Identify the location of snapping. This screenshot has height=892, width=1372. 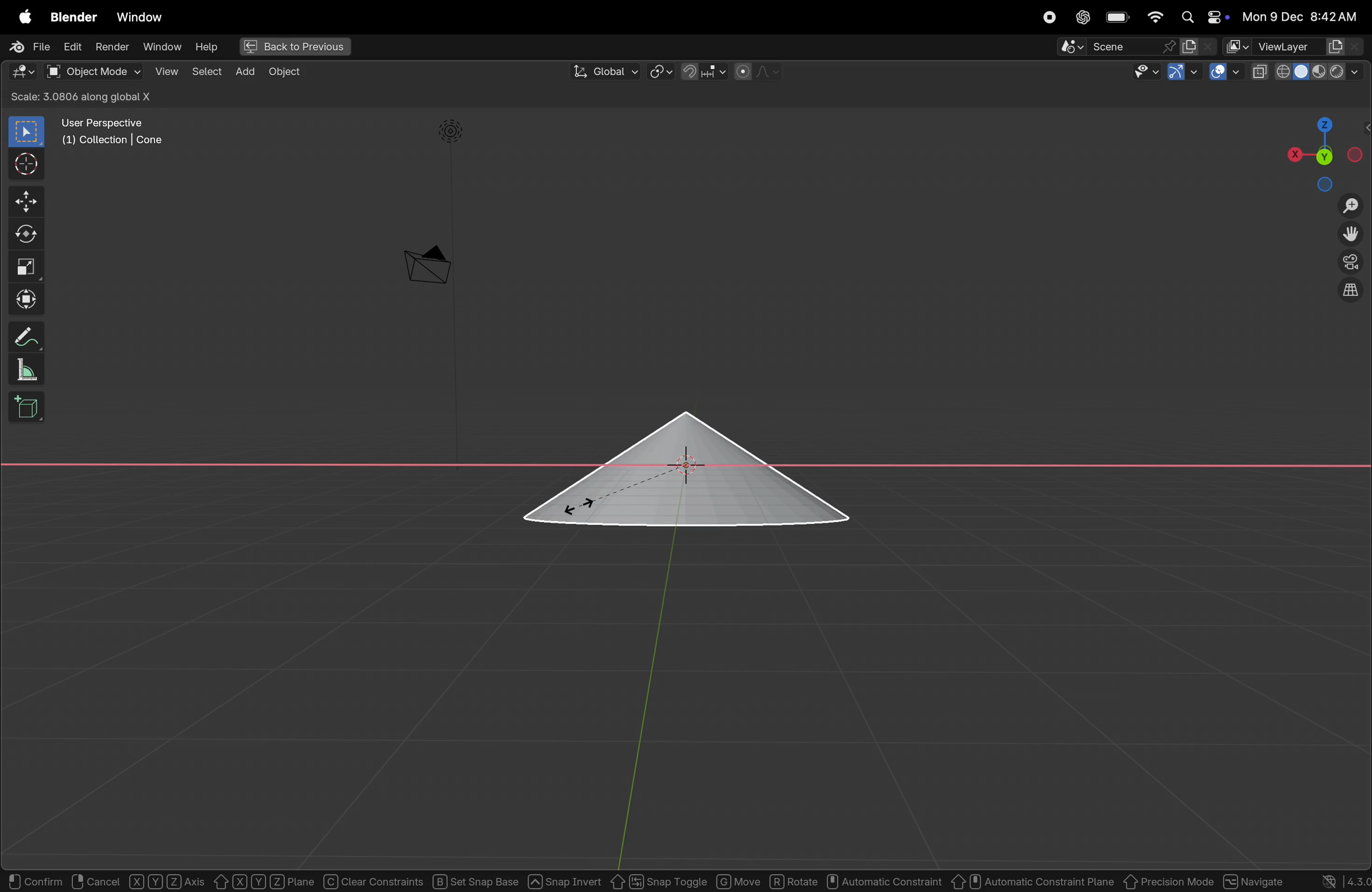
(705, 71).